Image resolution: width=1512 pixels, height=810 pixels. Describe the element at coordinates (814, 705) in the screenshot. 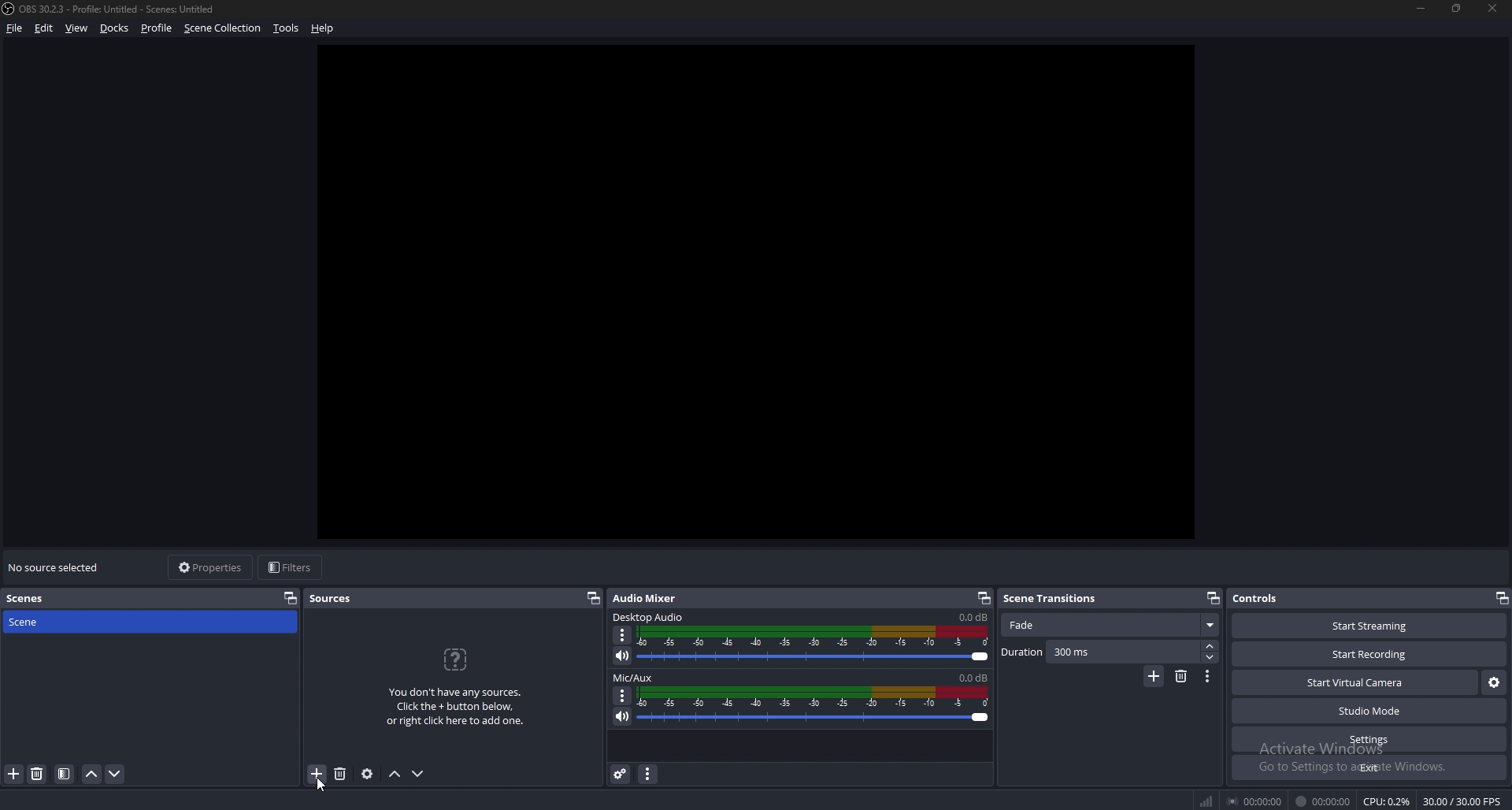

I see ` mic Soundbar` at that location.